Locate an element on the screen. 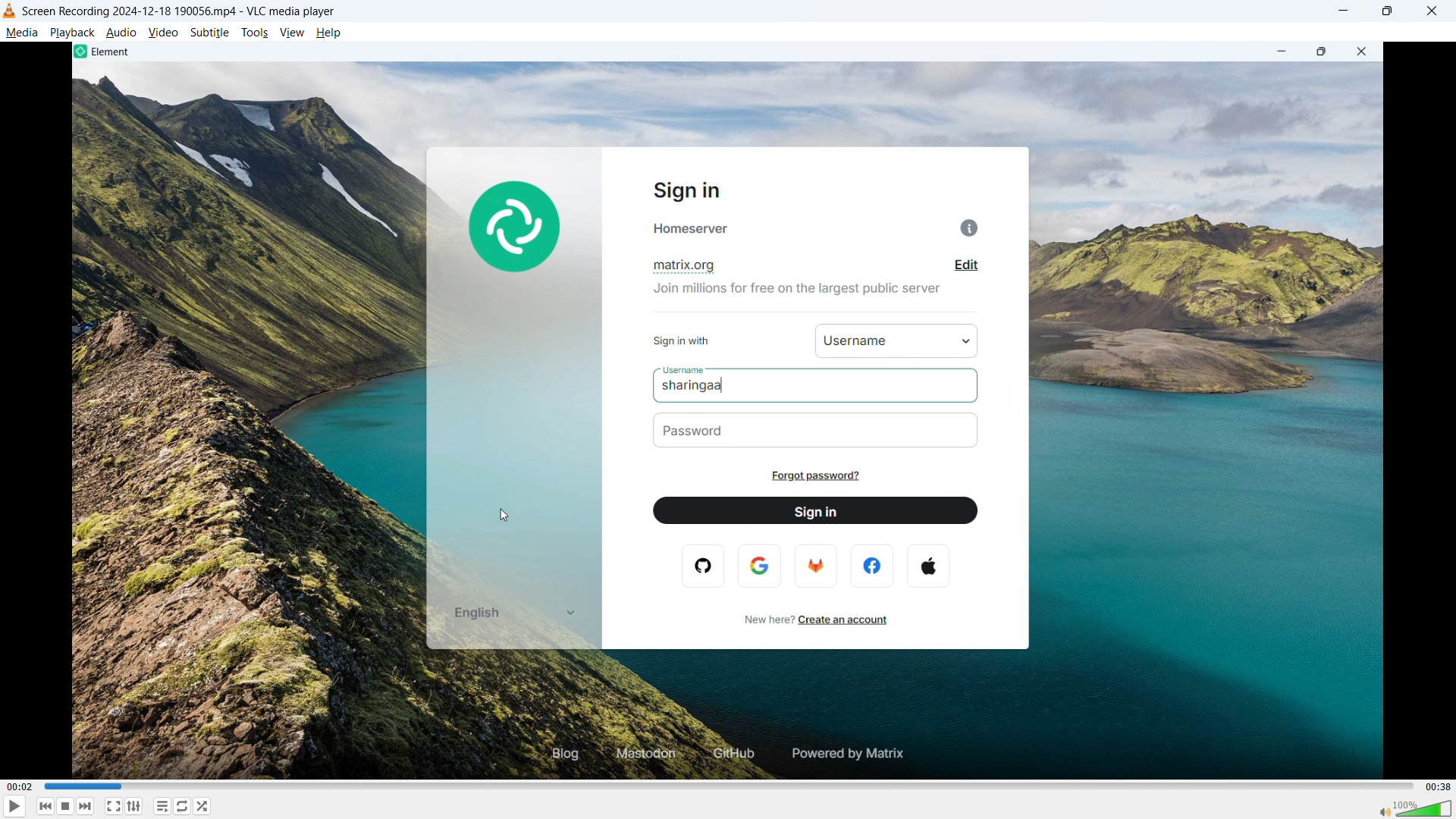 This screenshot has width=1456, height=819. sharingaa is located at coordinates (714, 386).